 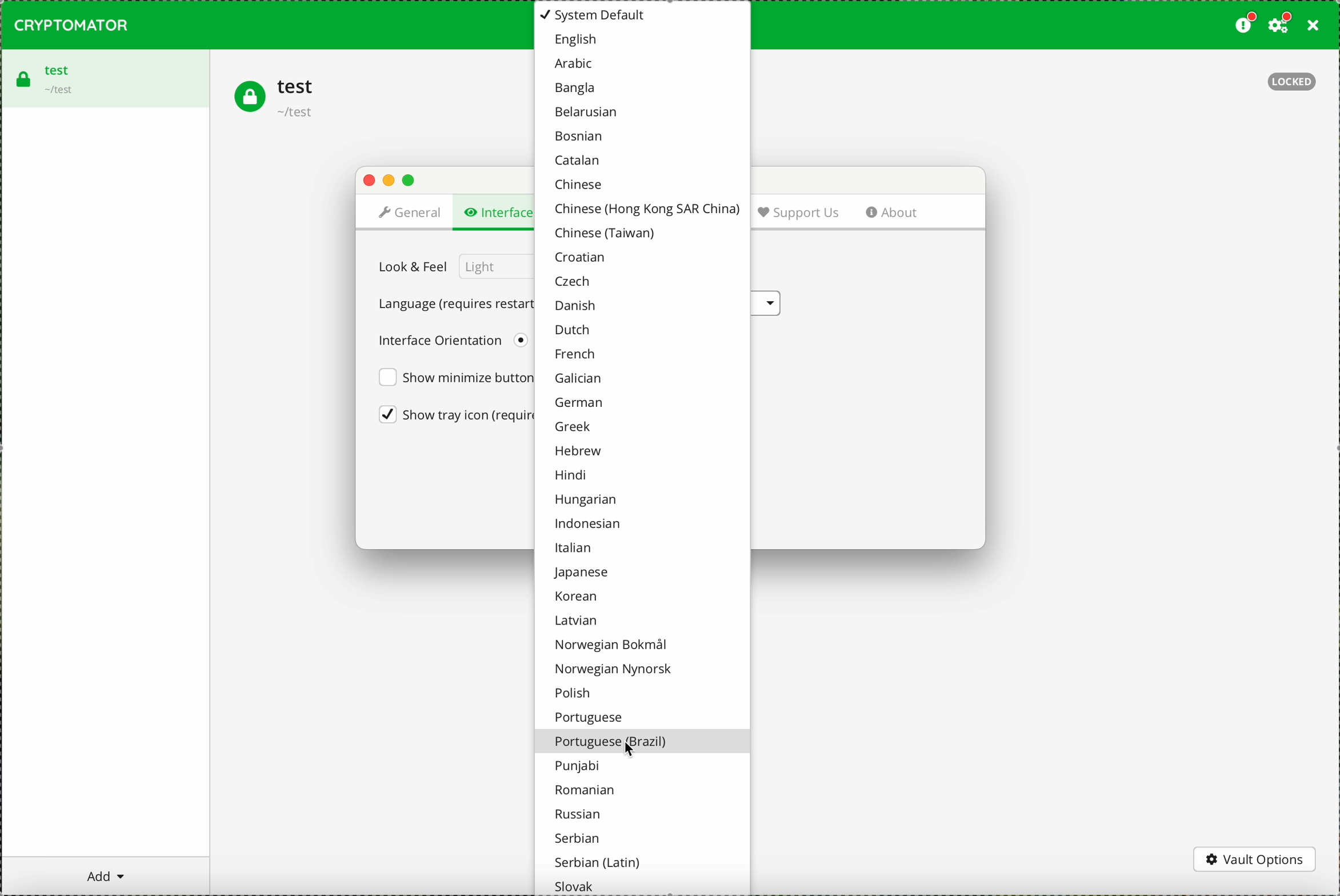 What do you see at coordinates (520, 340) in the screenshot?
I see `left to right` at bounding box center [520, 340].